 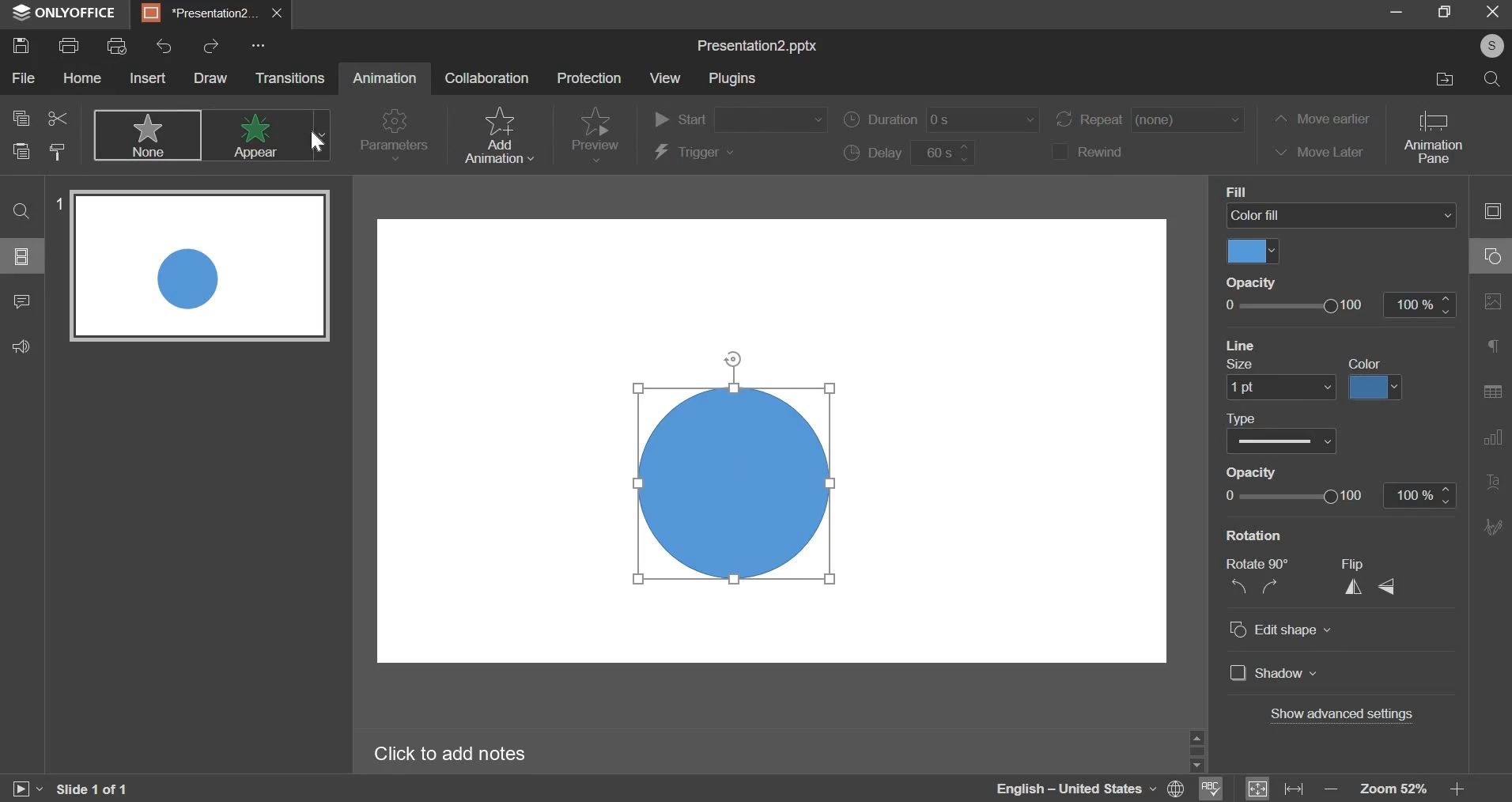 I want to click on 1, so click(x=53, y=205).